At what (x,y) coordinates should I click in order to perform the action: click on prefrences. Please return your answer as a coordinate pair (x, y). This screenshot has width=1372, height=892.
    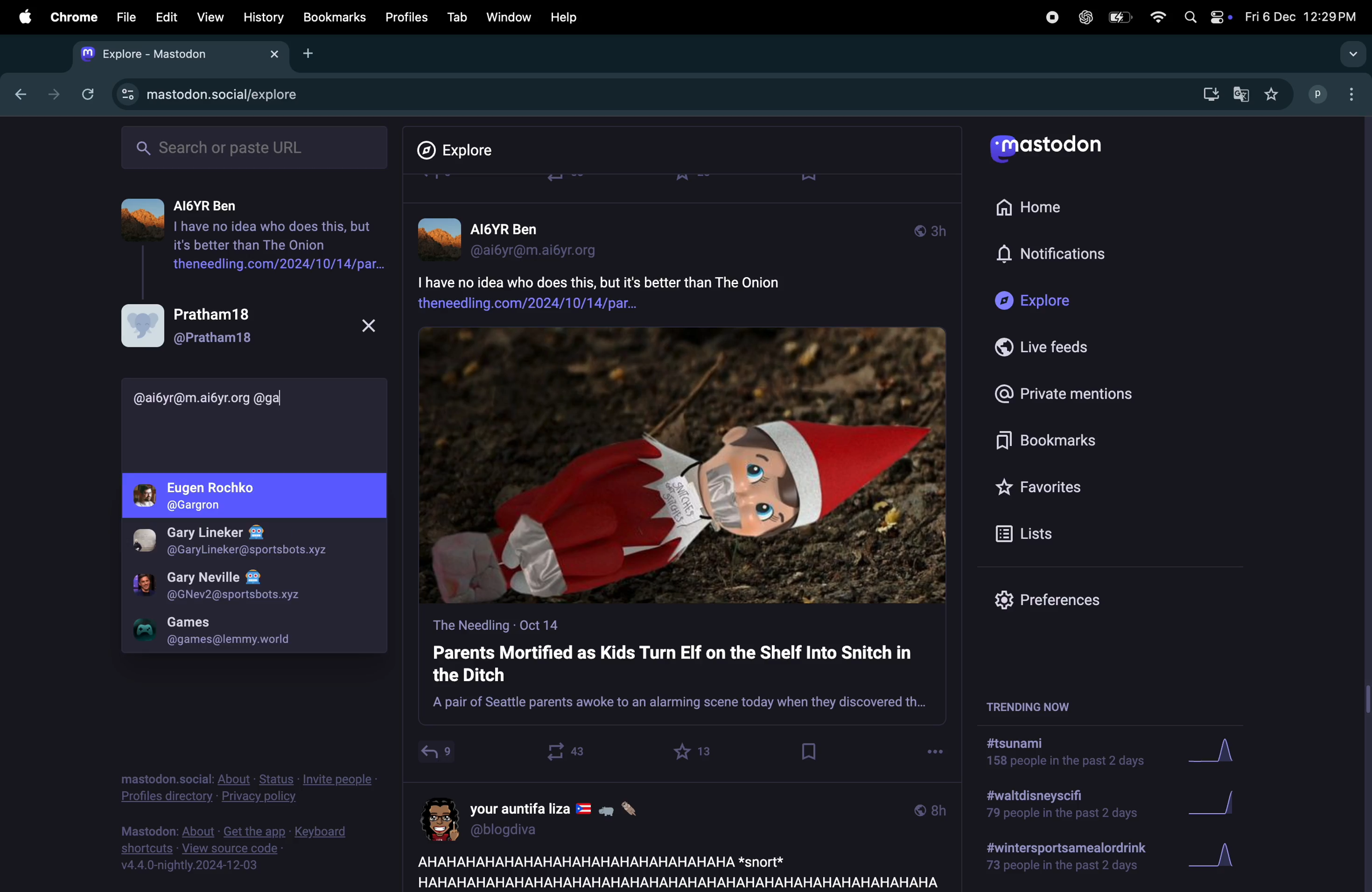
    Looking at the image, I should click on (1057, 603).